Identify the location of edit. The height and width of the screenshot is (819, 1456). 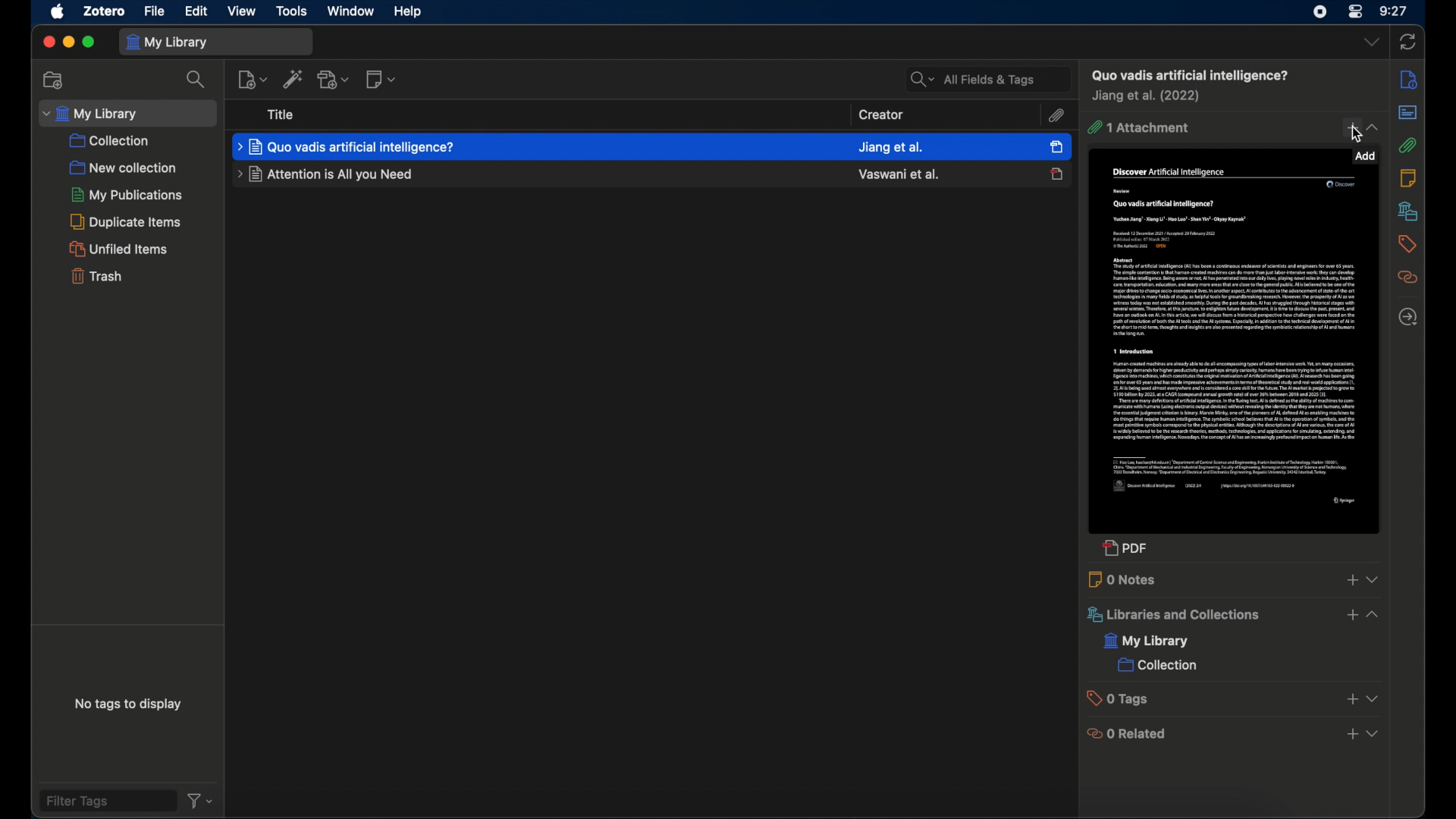
(196, 11).